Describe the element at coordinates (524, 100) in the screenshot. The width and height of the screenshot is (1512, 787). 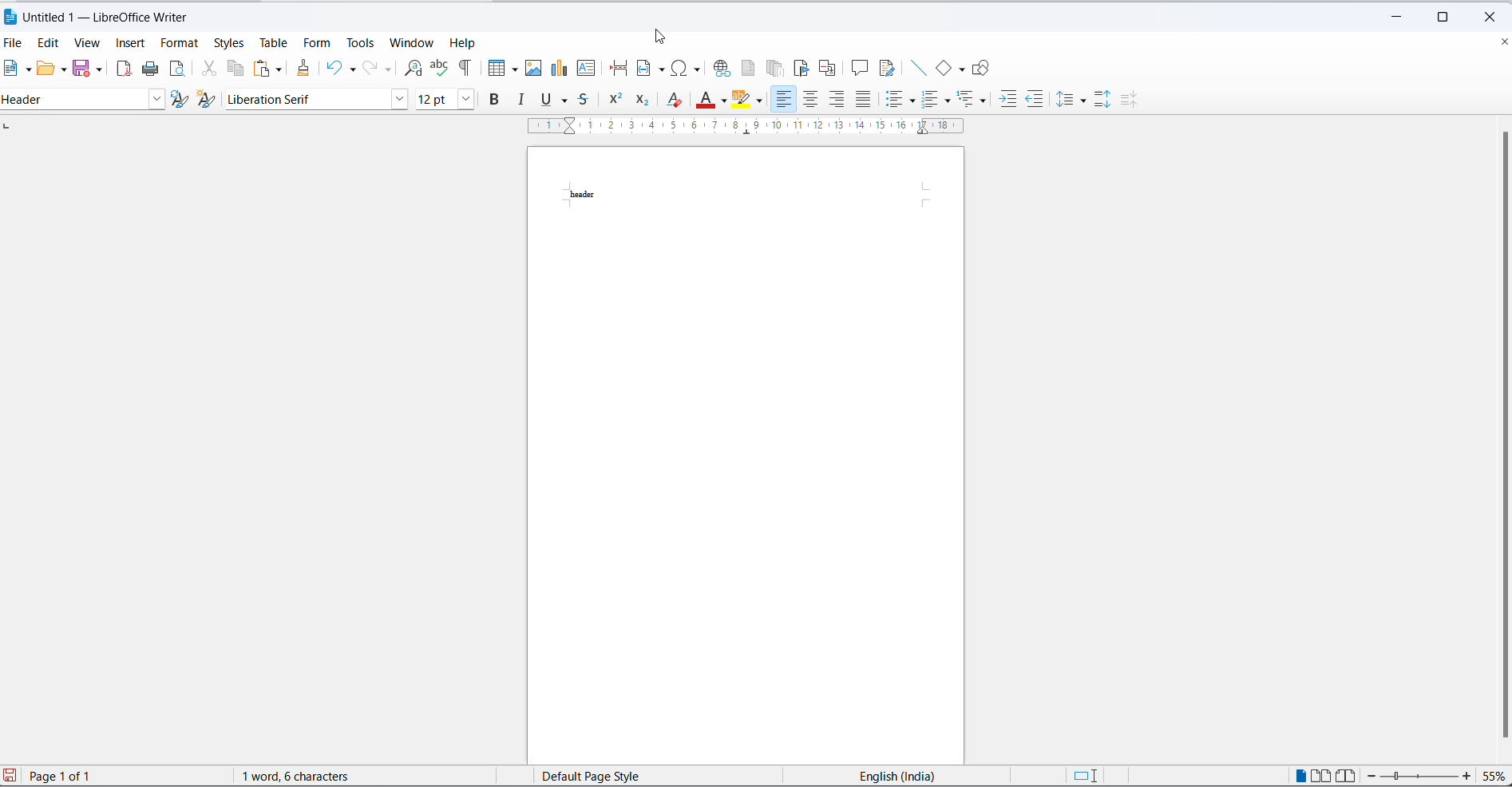
I see `italic` at that location.